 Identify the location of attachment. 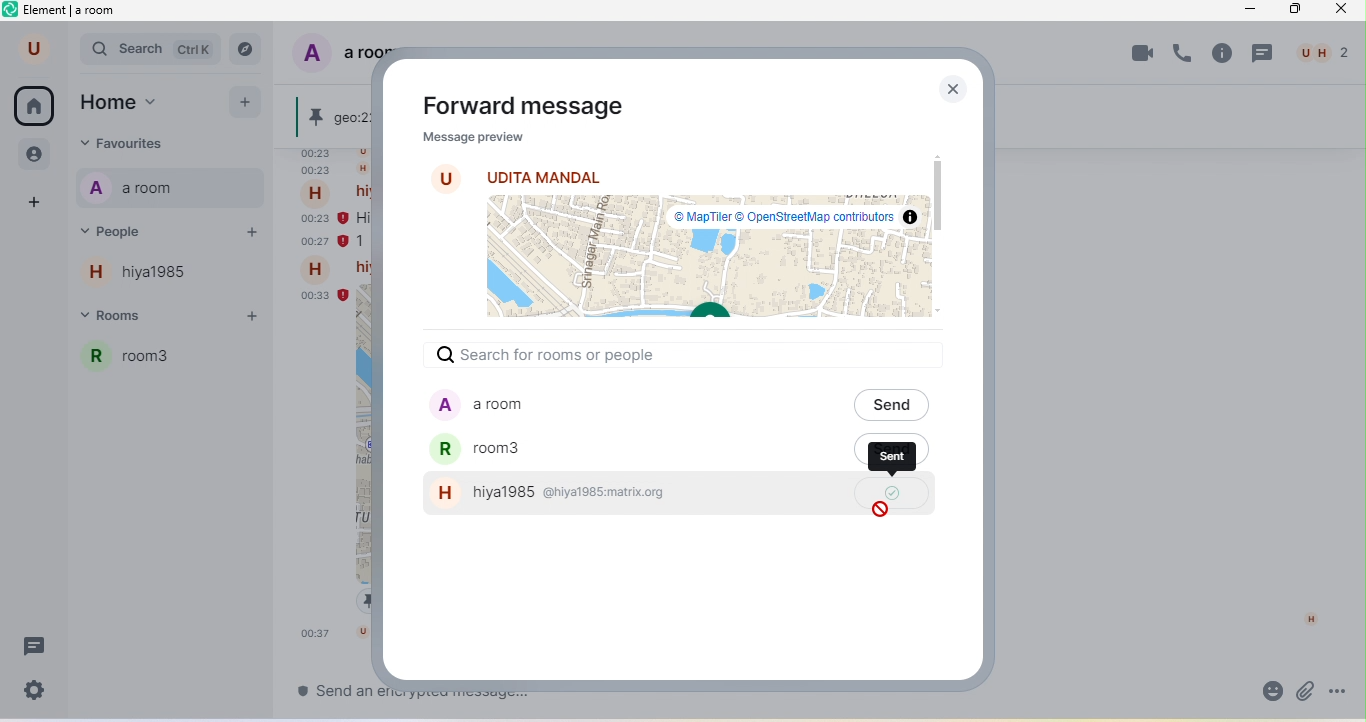
(1305, 690).